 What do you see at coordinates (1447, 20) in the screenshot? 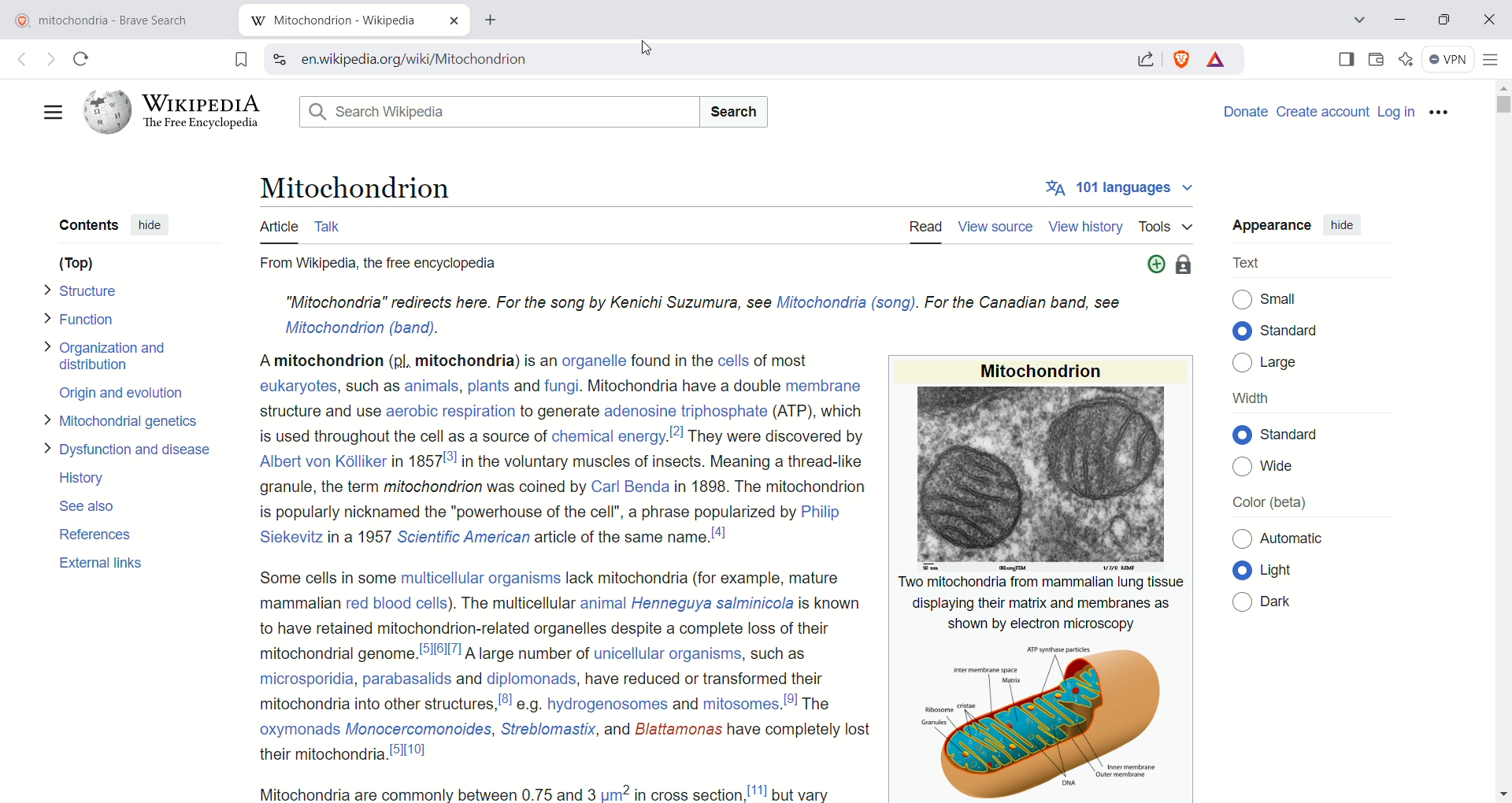
I see `maximize` at bounding box center [1447, 20].